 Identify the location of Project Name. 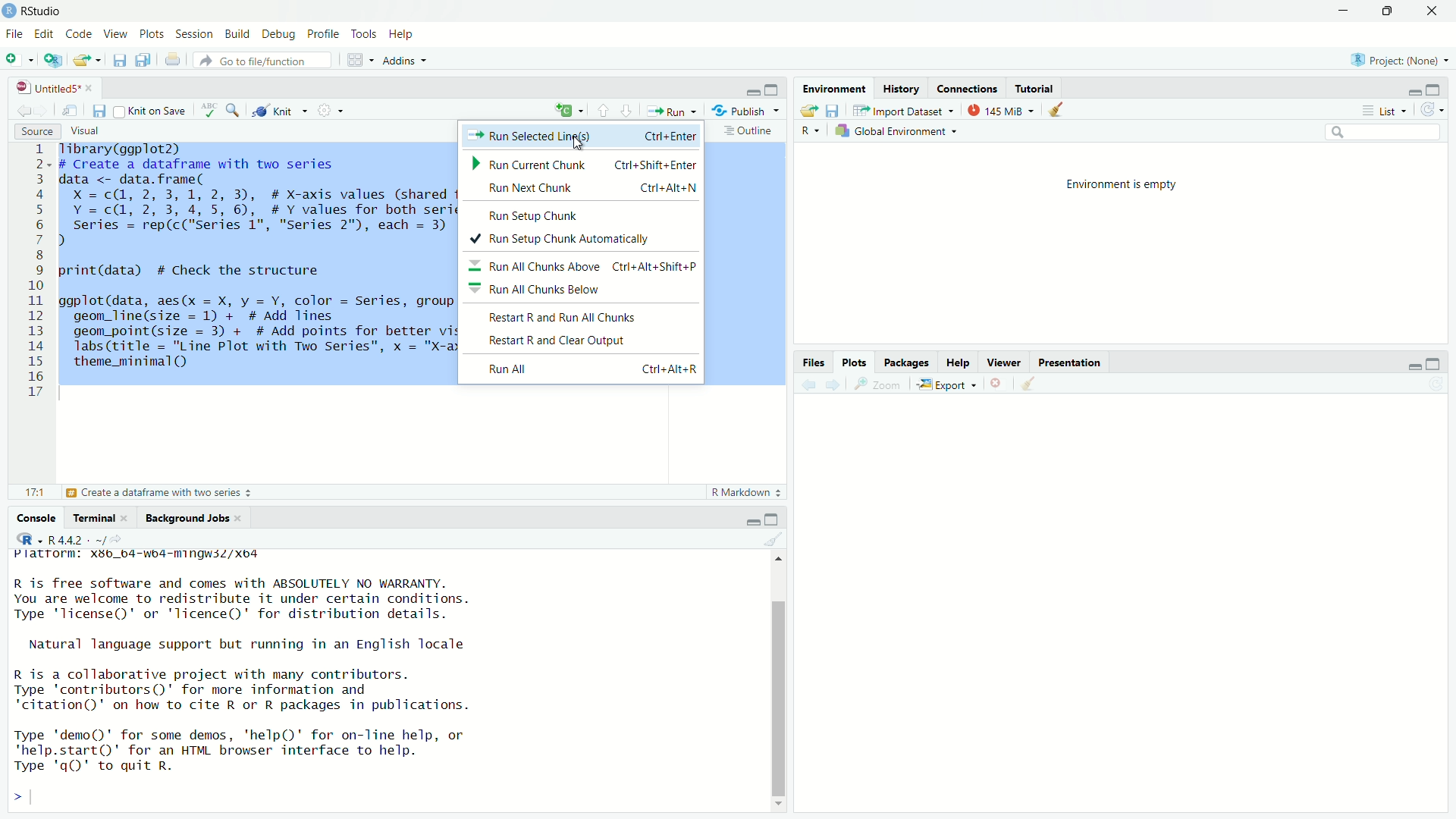
(1398, 62).